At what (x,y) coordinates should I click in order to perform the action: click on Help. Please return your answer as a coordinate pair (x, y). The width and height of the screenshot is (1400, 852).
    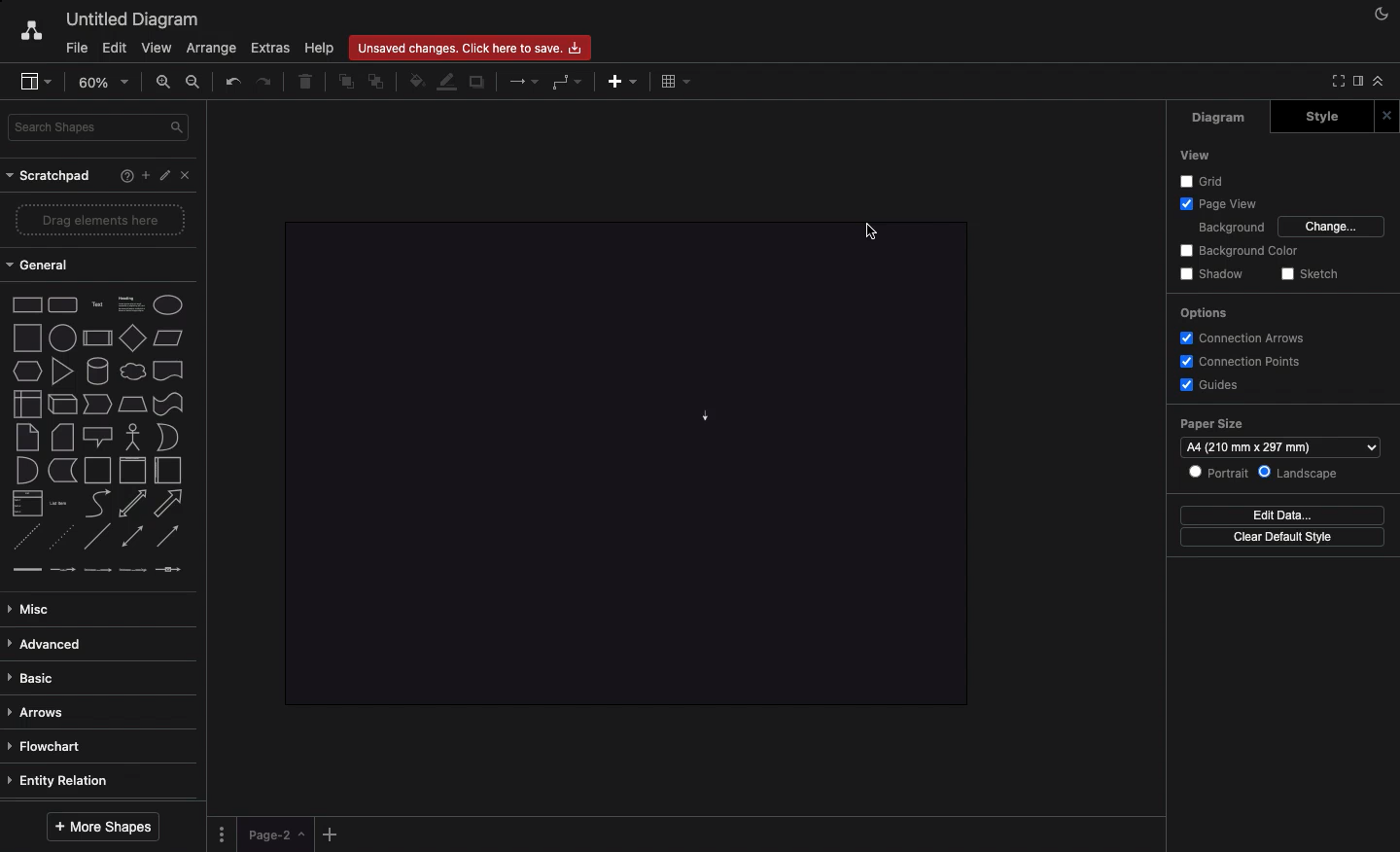
    Looking at the image, I should click on (322, 48).